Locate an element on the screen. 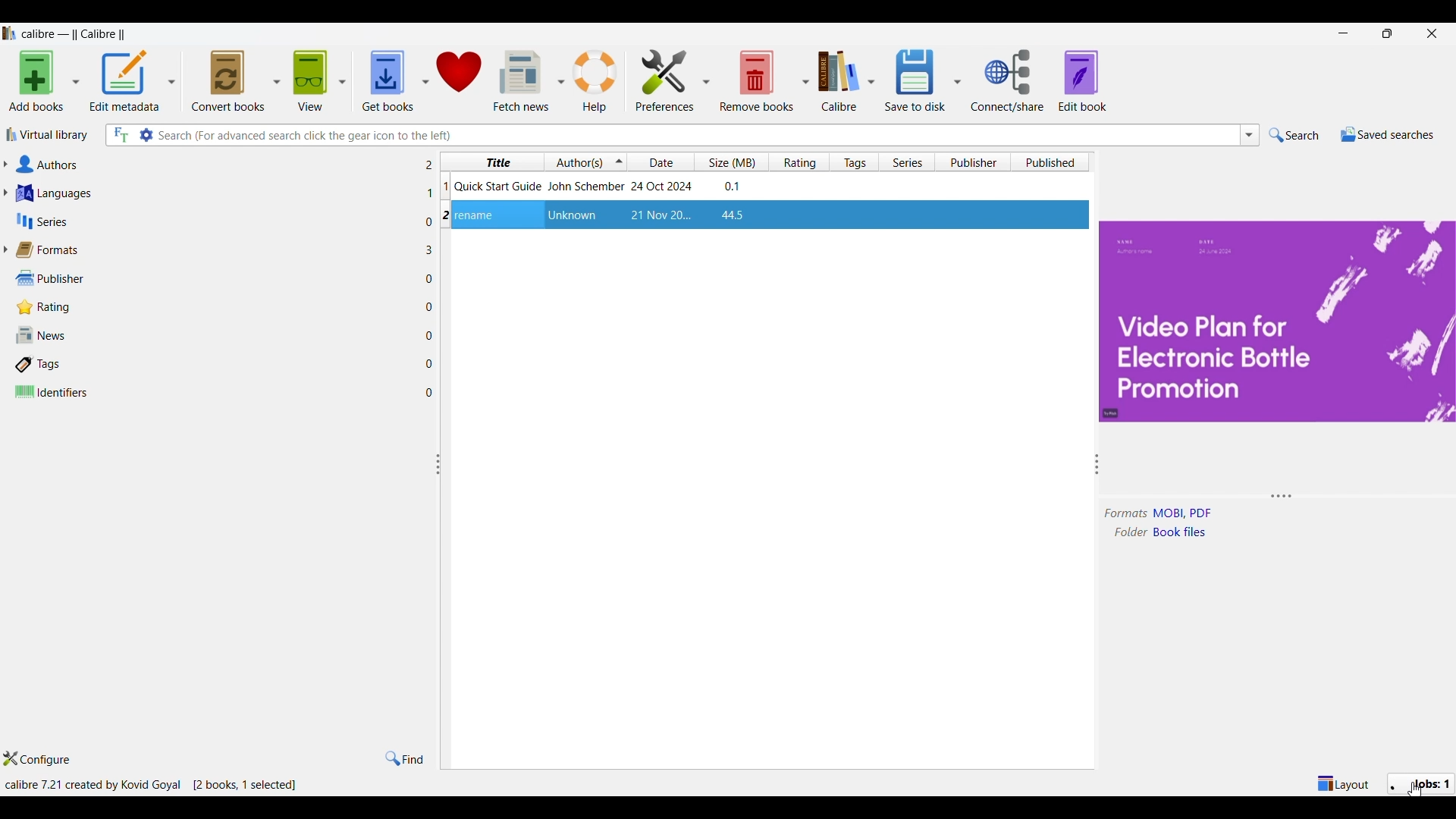 Image resolution: width=1456 pixels, height=819 pixels. Get book options is located at coordinates (425, 80).